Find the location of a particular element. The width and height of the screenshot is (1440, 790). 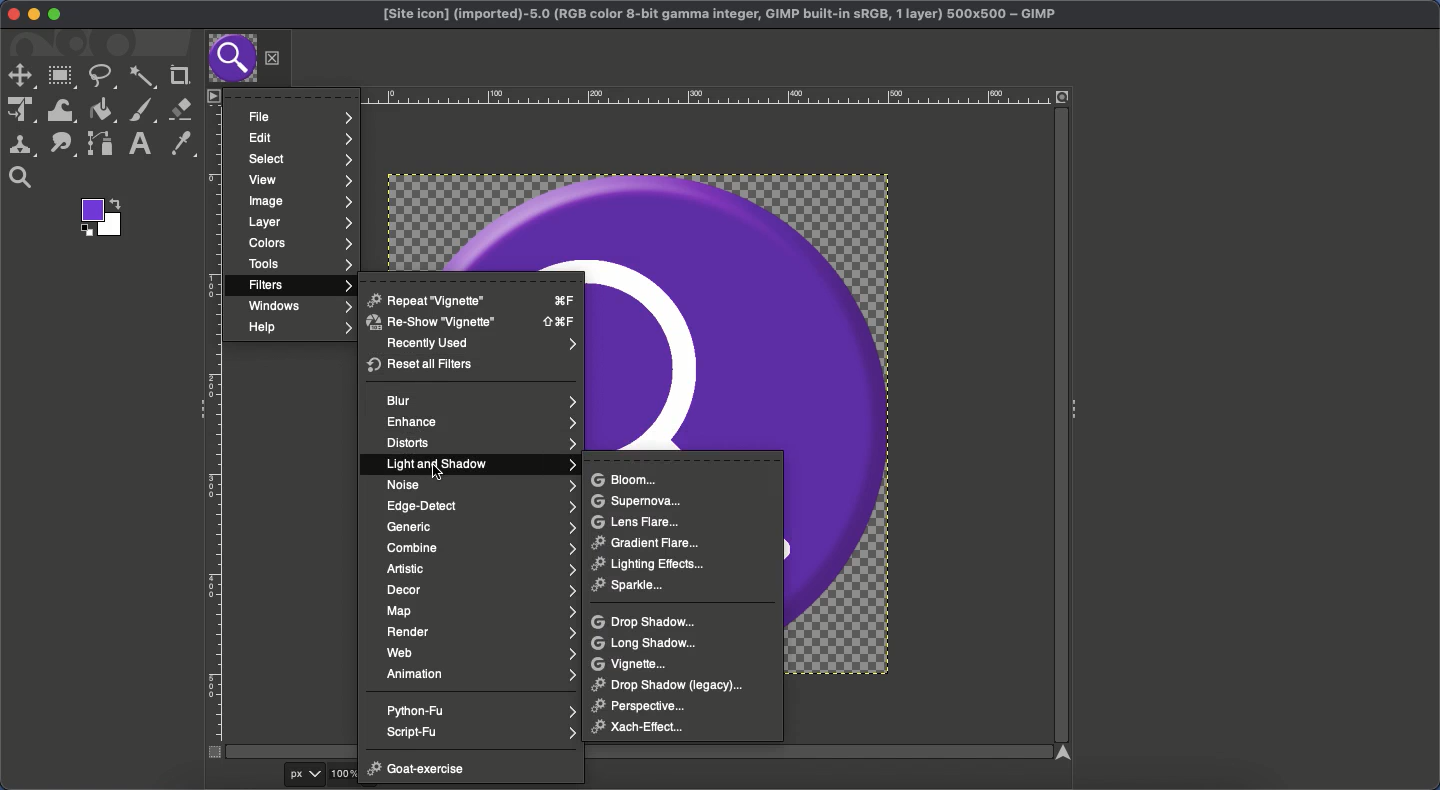

Drop shadow is located at coordinates (647, 621).